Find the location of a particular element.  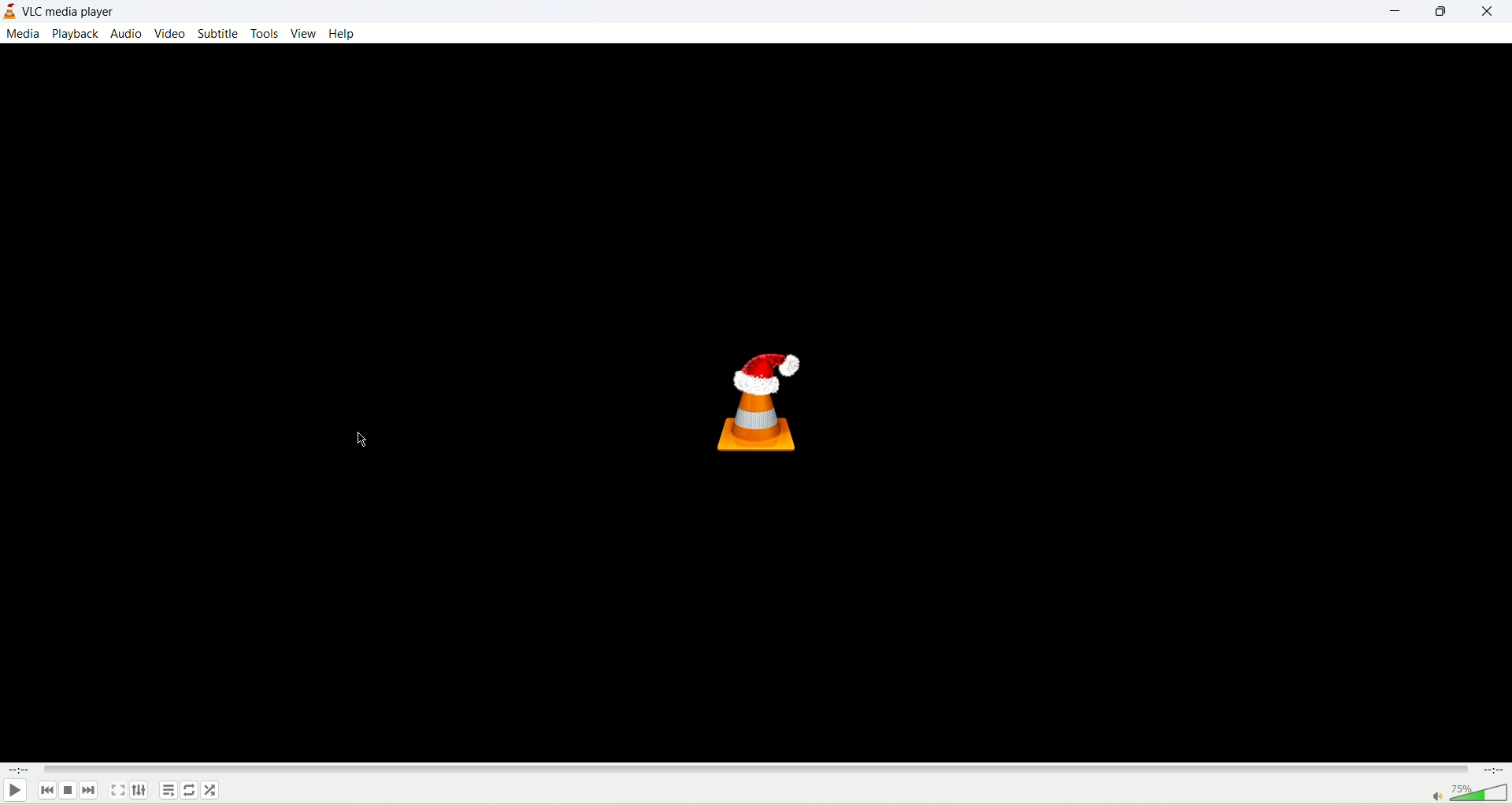

media is located at coordinates (23, 35).